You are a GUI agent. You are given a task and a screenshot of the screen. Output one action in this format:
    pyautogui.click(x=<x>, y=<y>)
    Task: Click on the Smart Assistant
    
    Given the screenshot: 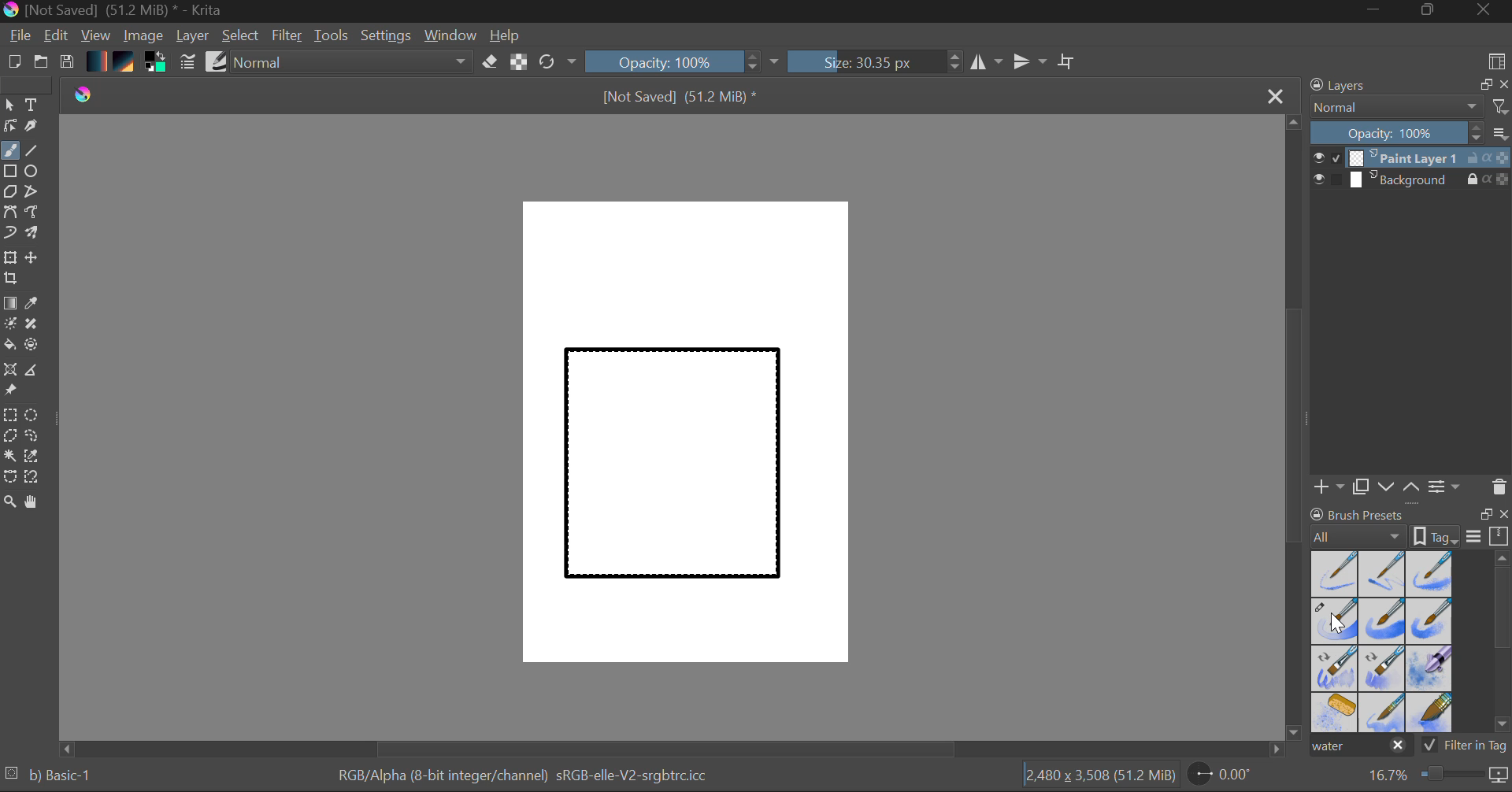 What is the action you would take?
    pyautogui.click(x=9, y=372)
    